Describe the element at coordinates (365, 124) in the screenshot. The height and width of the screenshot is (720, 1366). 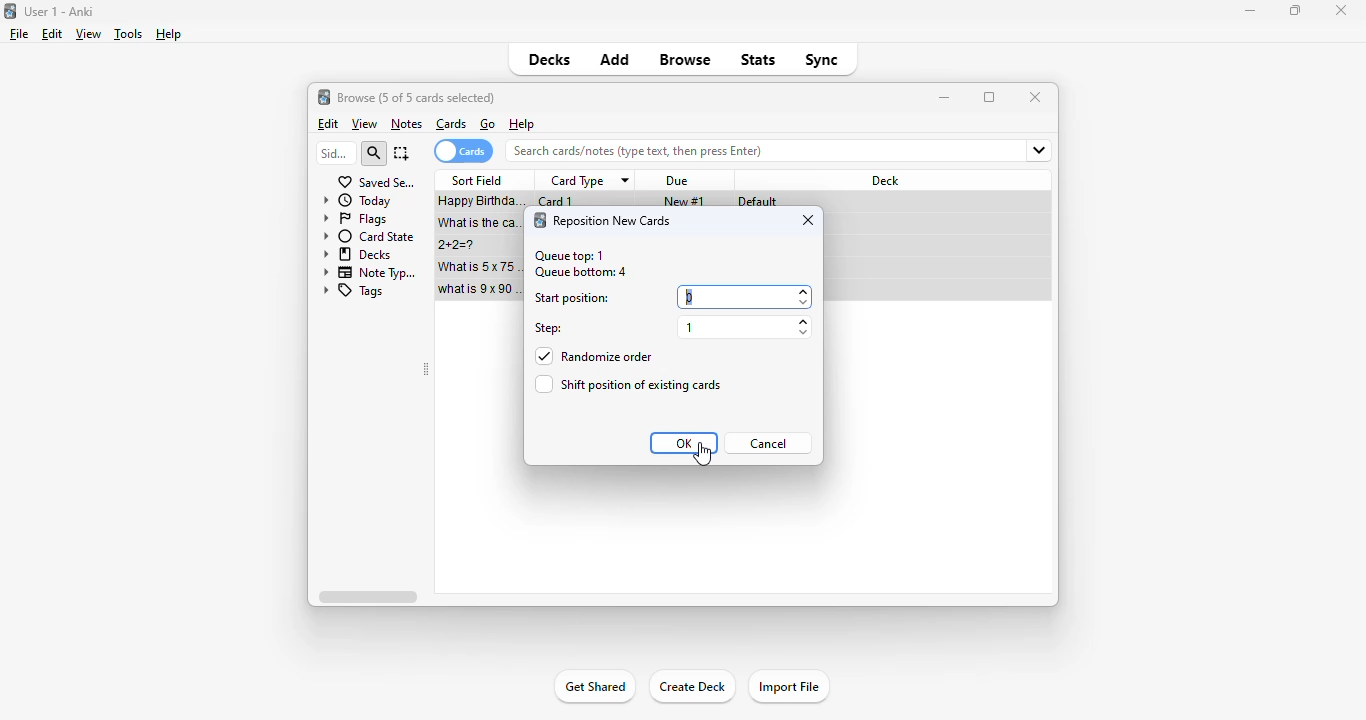
I see `view` at that location.